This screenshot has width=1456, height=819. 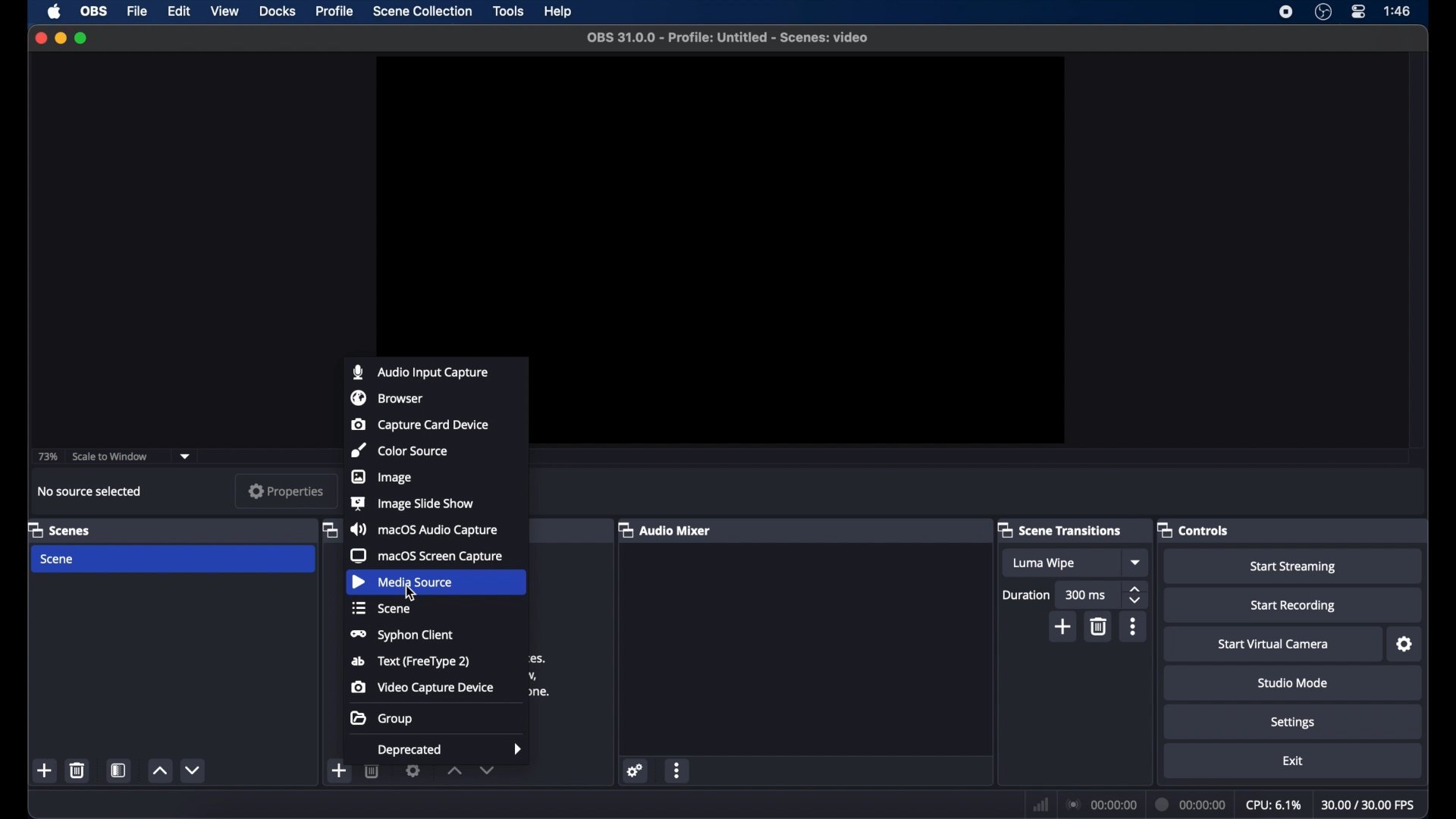 What do you see at coordinates (664, 529) in the screenshot?
I see `audio mixer` at bounding box center [664, 529].